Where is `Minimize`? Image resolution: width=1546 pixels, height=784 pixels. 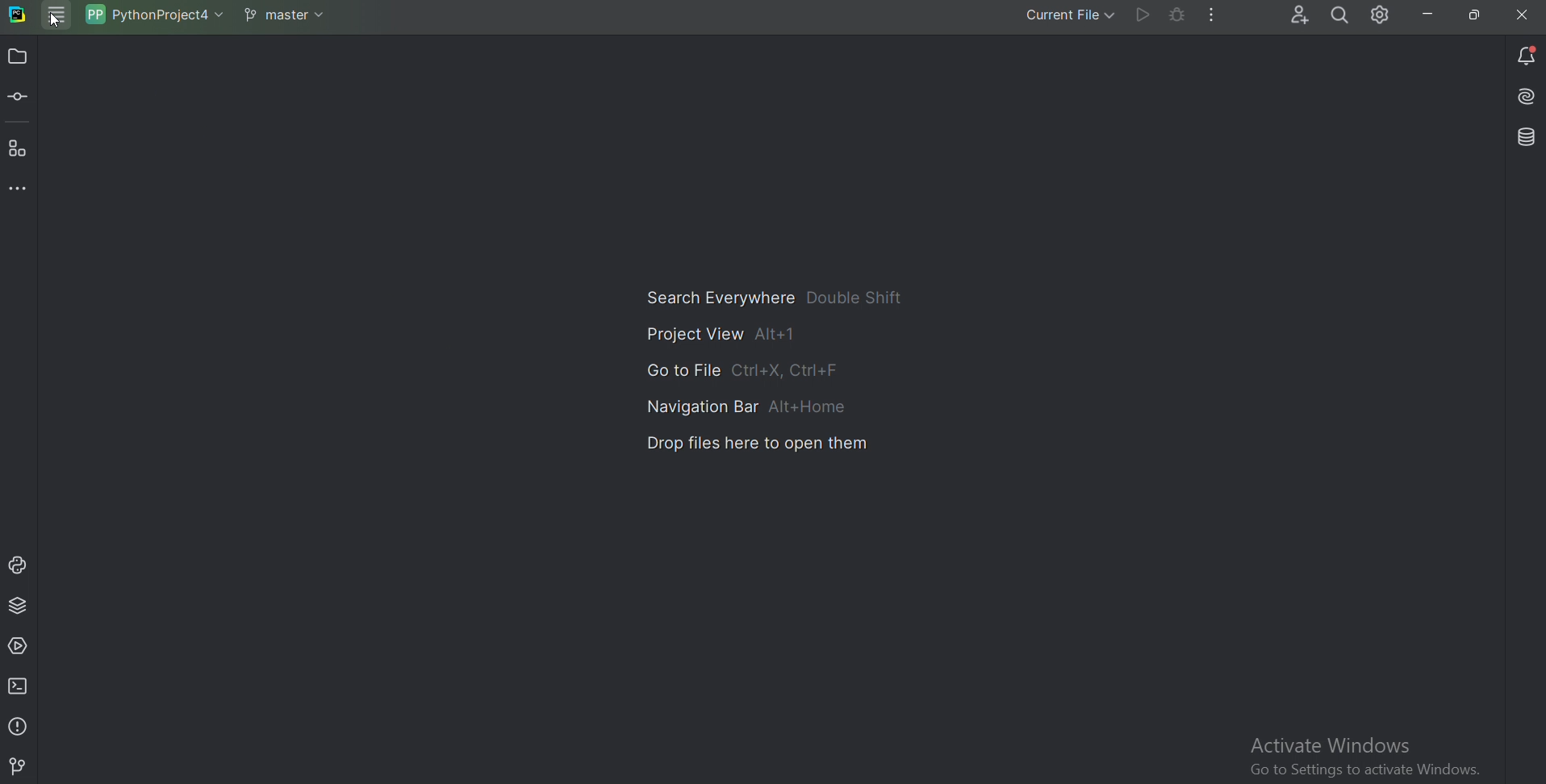
Minimize is located at coordinates (1423, 14).